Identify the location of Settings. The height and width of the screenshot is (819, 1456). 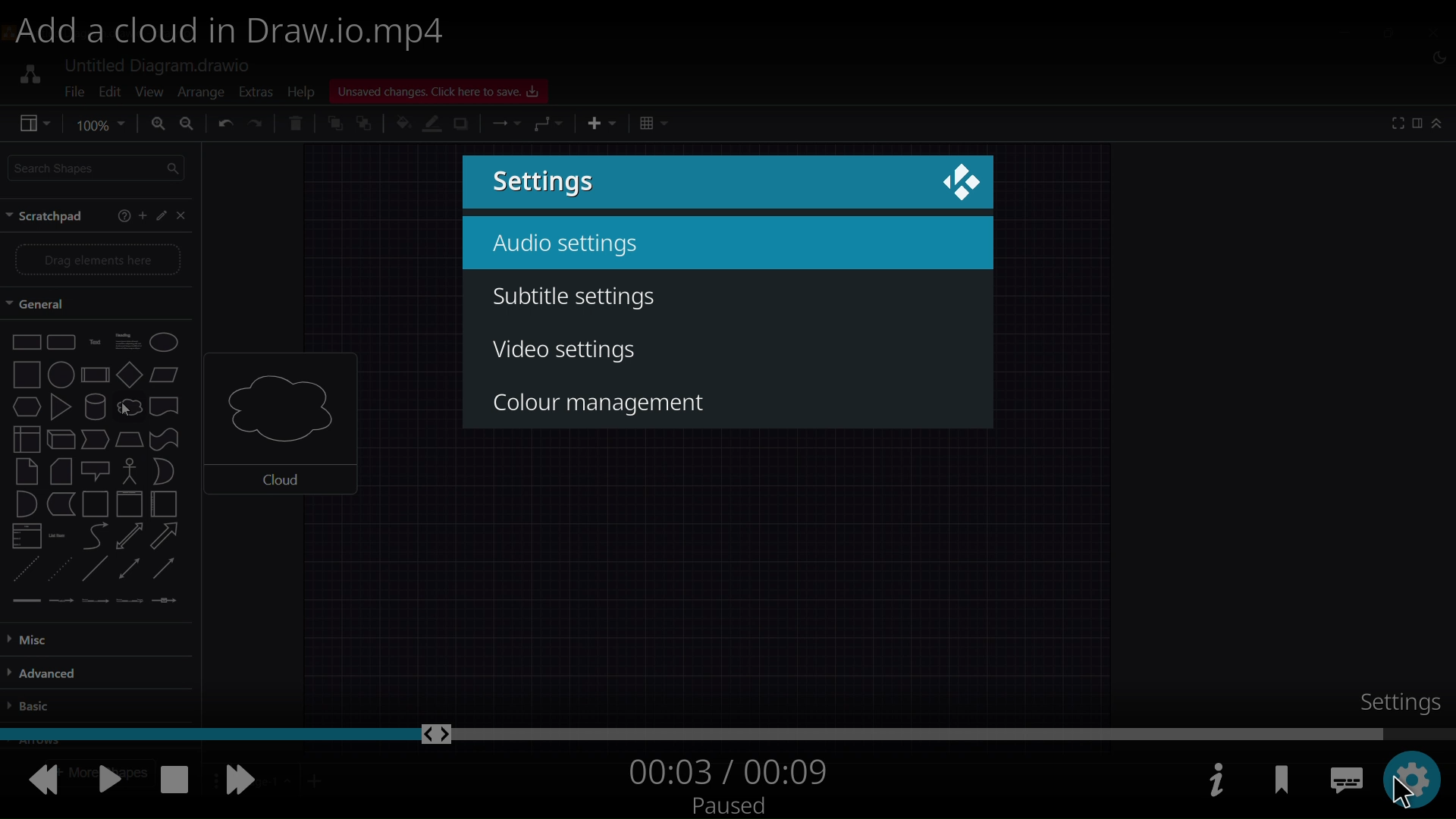
(1398, 701).